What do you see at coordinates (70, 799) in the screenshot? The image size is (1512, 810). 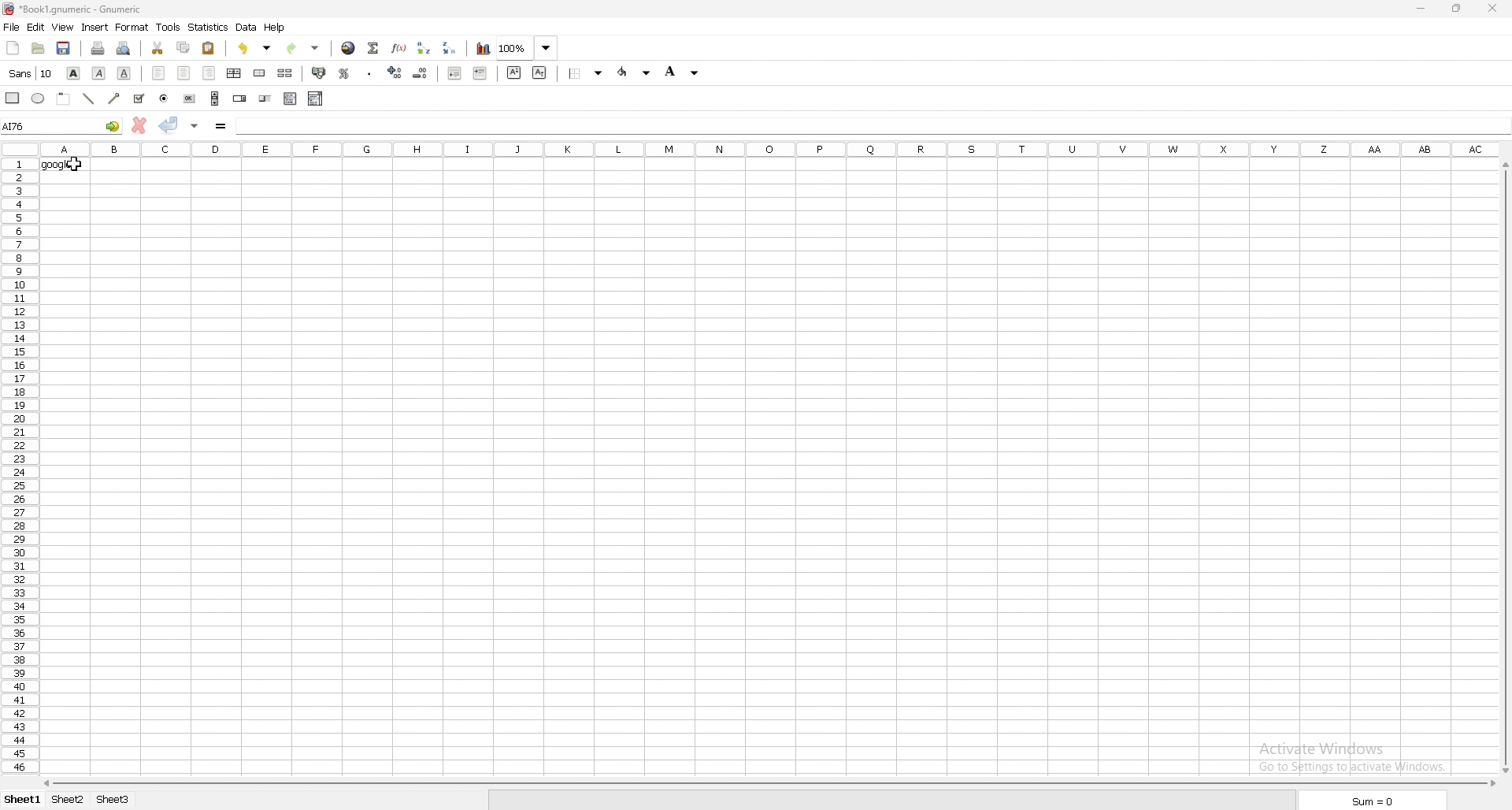 I see `sheet 2` at bounding box center [70, 799].